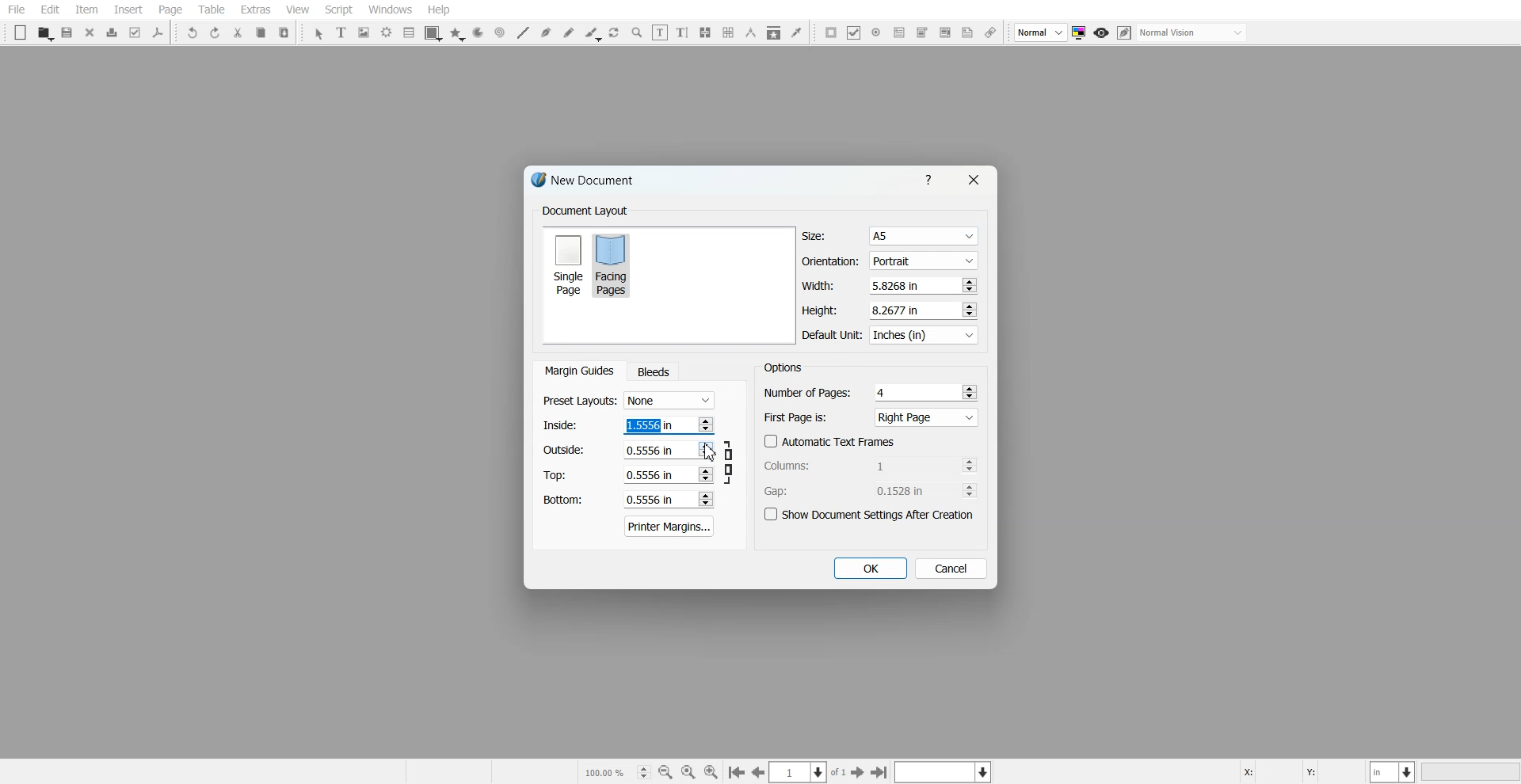 This screenshot has width=1521, height=784. Describe the element at coordinates (890, 310) in the screenshot. I see `Height adjuster` at that location.